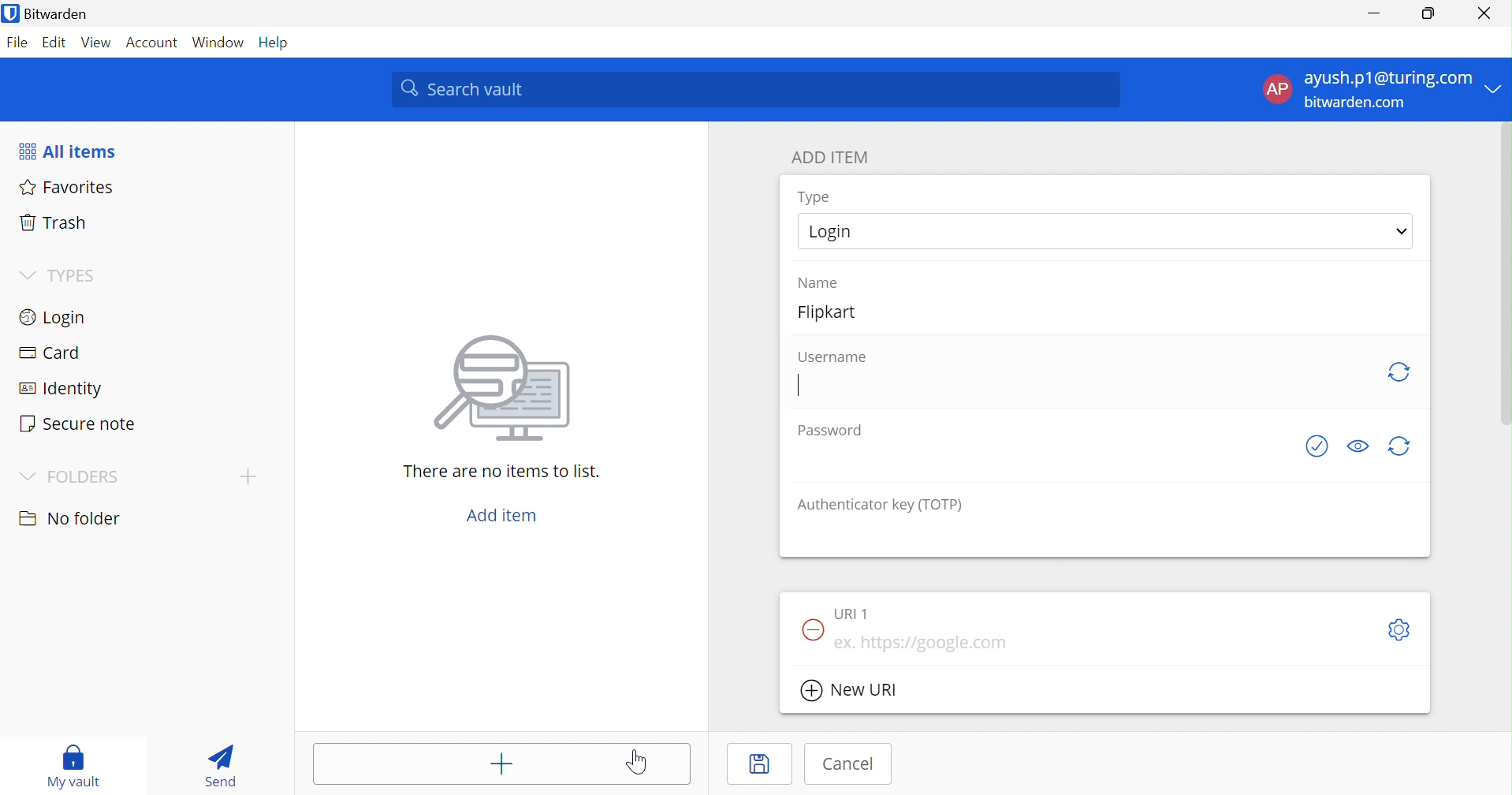 This screenshot has height=795, width=1512. I want to click on My vault, so click(76, 765).